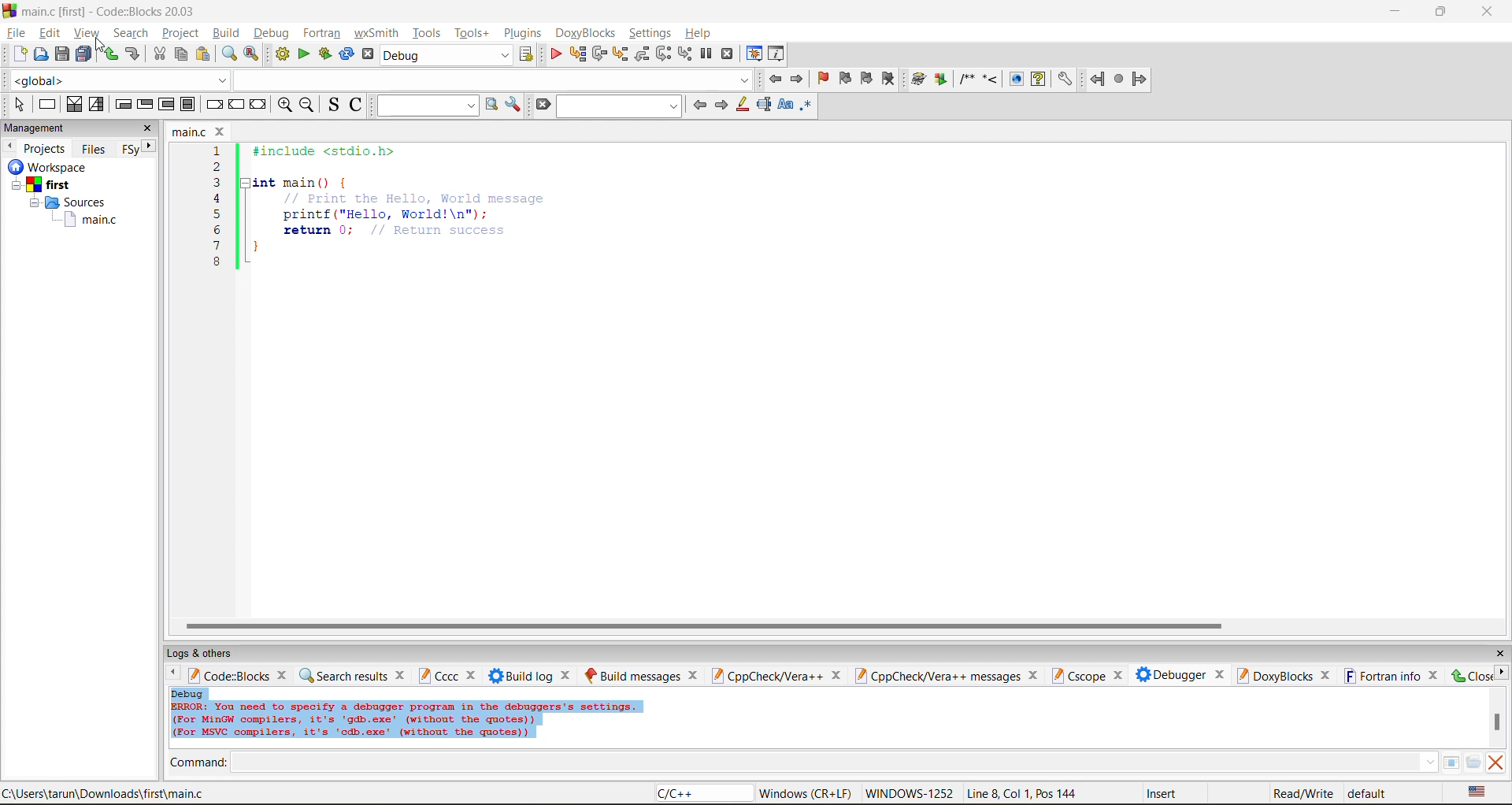 The image size is (1512, 805). What do you see at coordinates (1119, 80) in the screenshot?
I see `Last jump` at bounding box center [1119, 80].